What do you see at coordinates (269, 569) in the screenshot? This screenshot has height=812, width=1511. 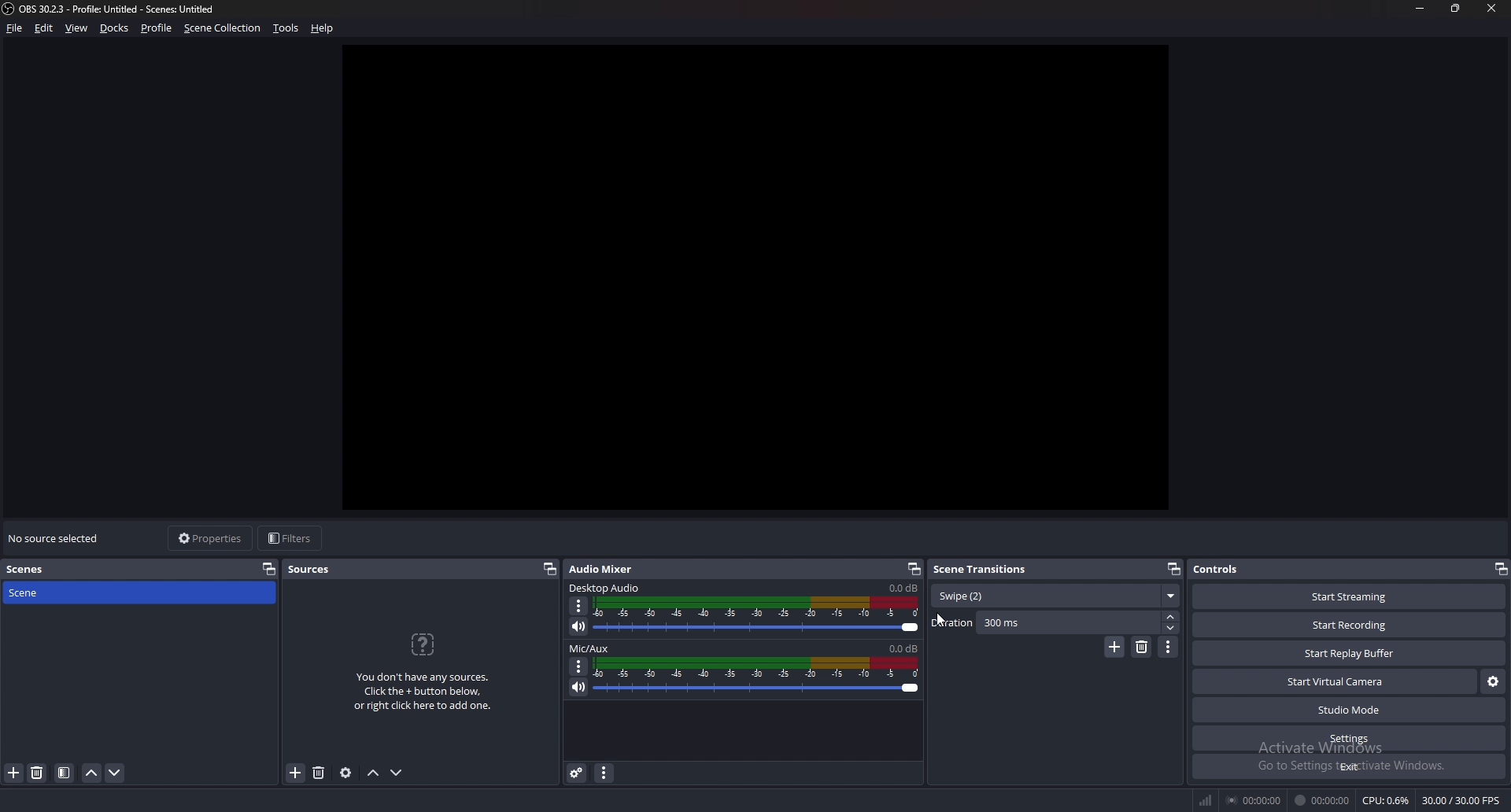 I see `pop out` at bounding box center [269, 569].